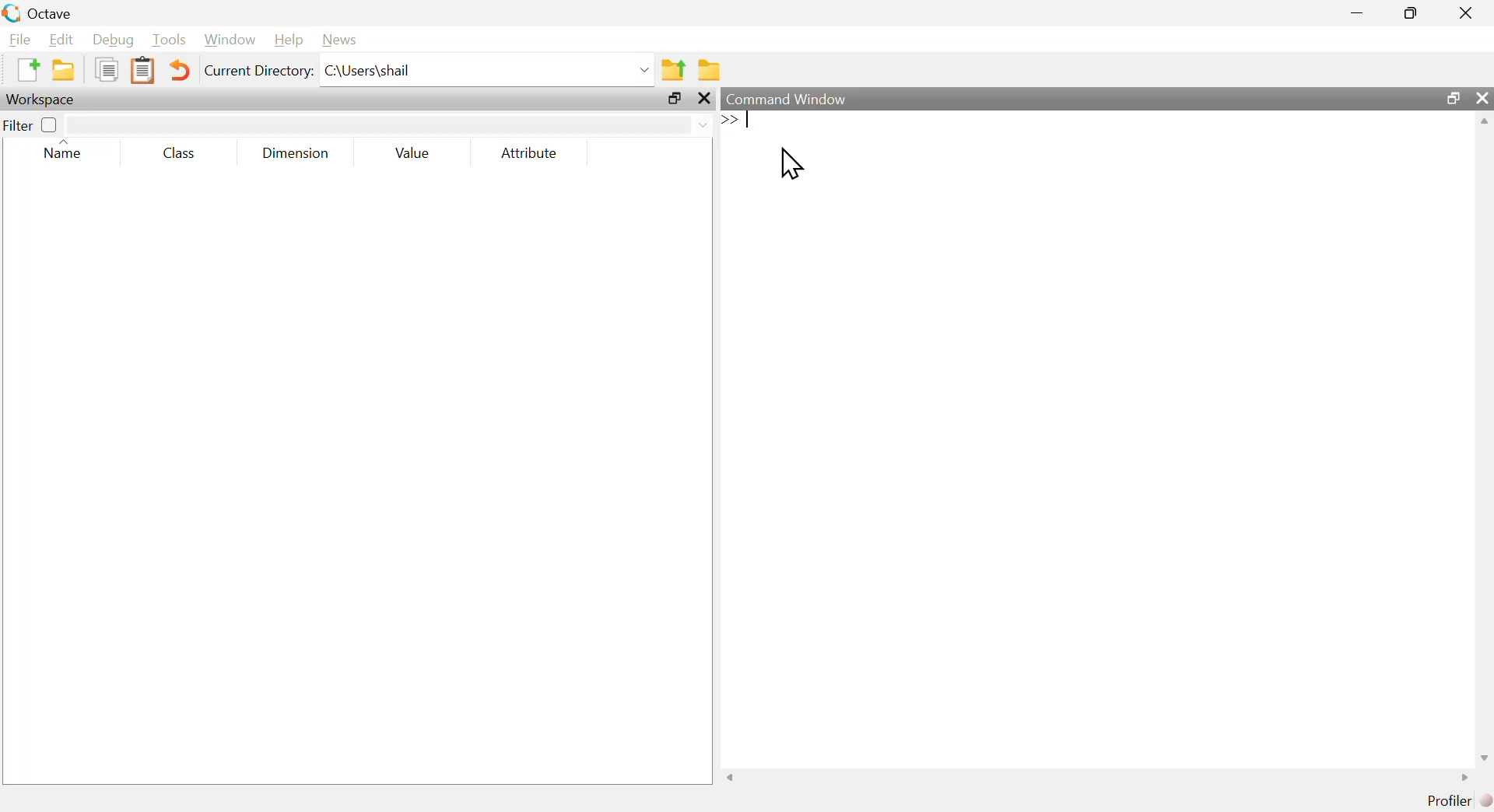 The height and width of the screenshot is (812, 1494). What do you see at coordinates (1485, 438) in the screenshot?
I see `vertical scroll bar` at bounding box center [1485, 438].